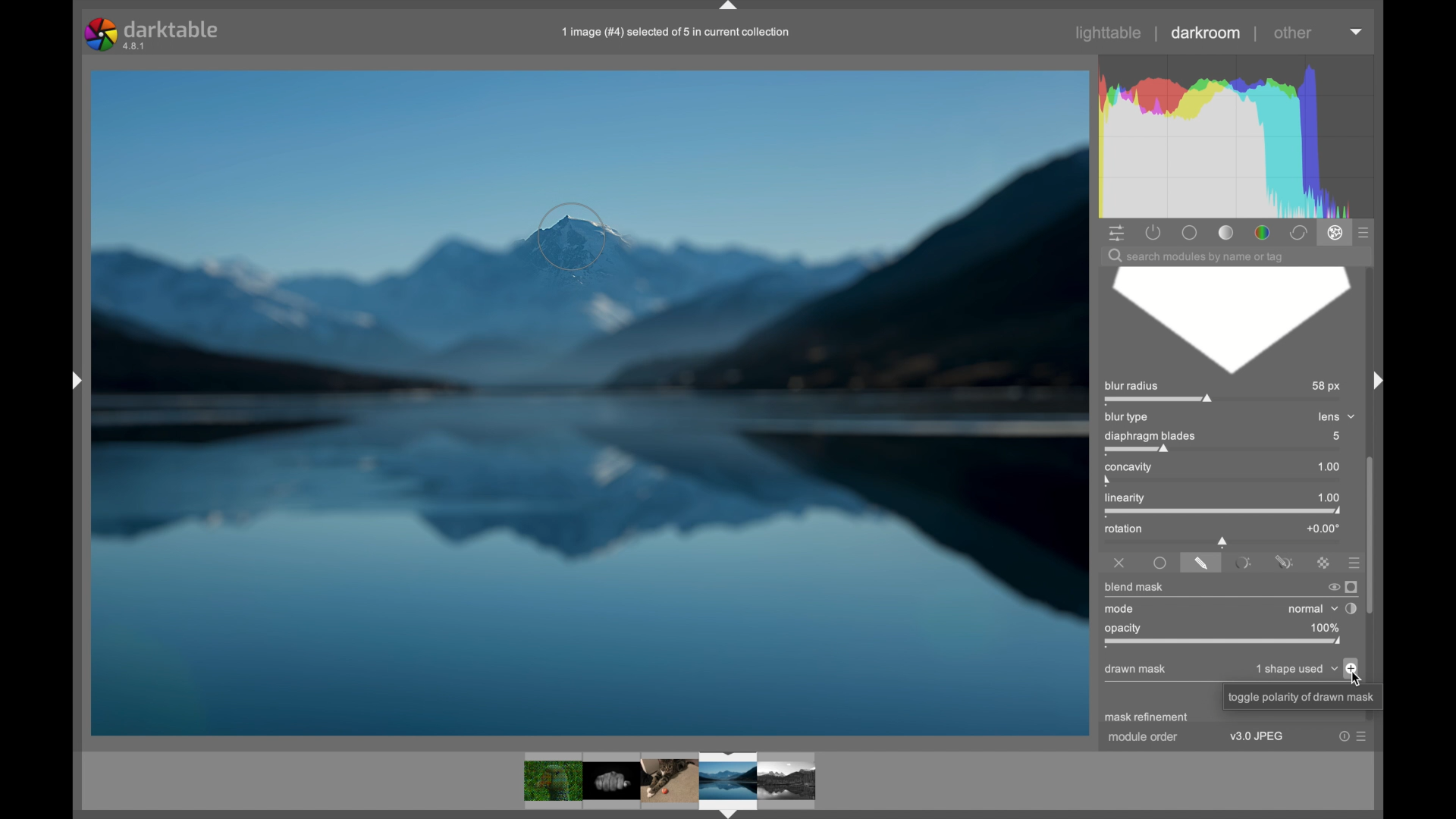 The height and width of the screenshot is (819, 1456). I want to click on presets, so click(1350, 561).